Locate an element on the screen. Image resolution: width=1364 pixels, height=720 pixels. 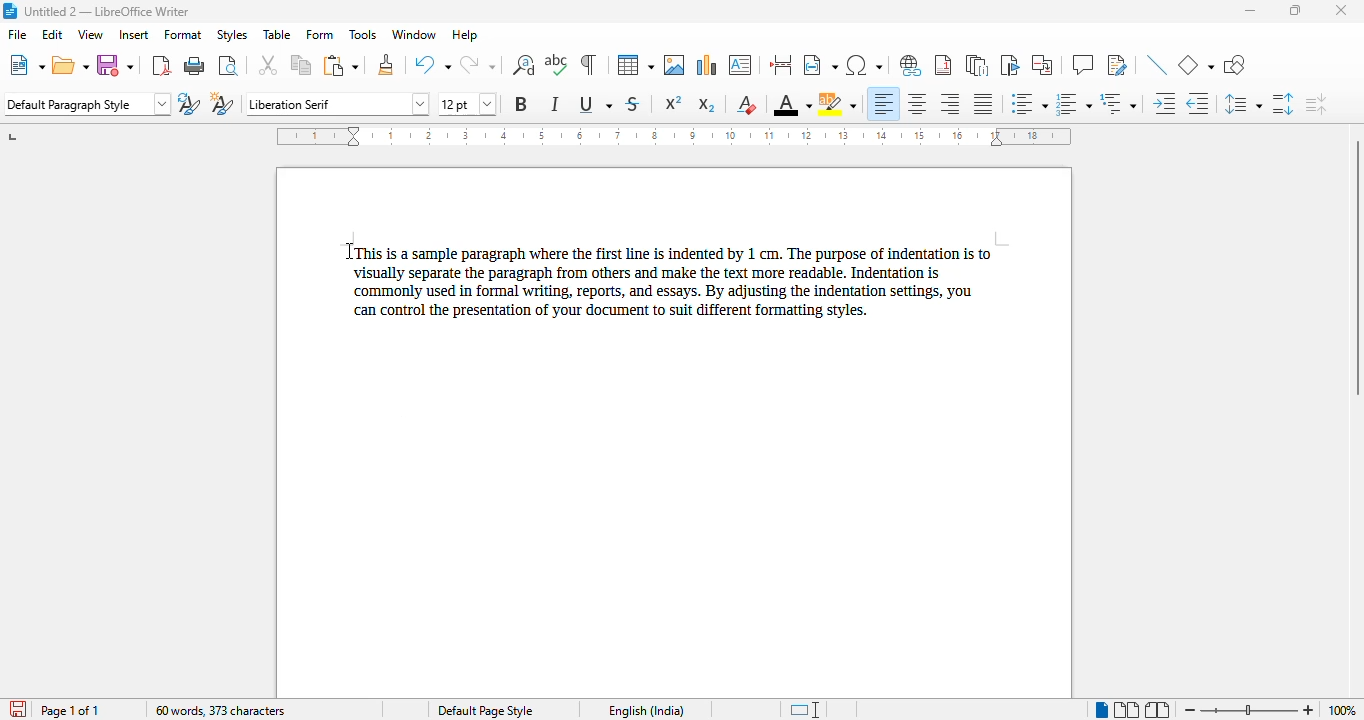
zoom in is located at coordinates (1309, 709).